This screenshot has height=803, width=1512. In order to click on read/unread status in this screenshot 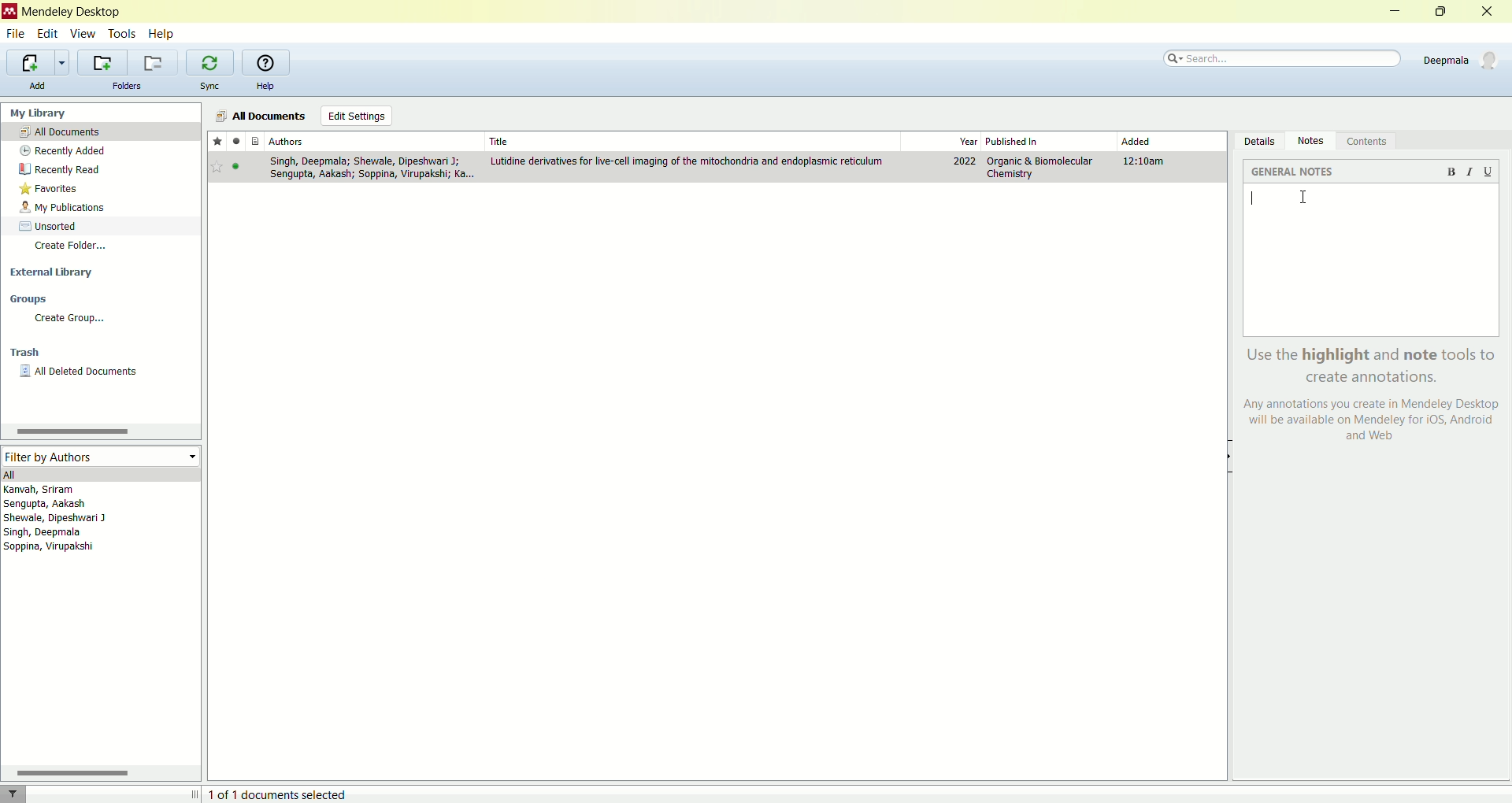, I will do `click(236, 142)`.